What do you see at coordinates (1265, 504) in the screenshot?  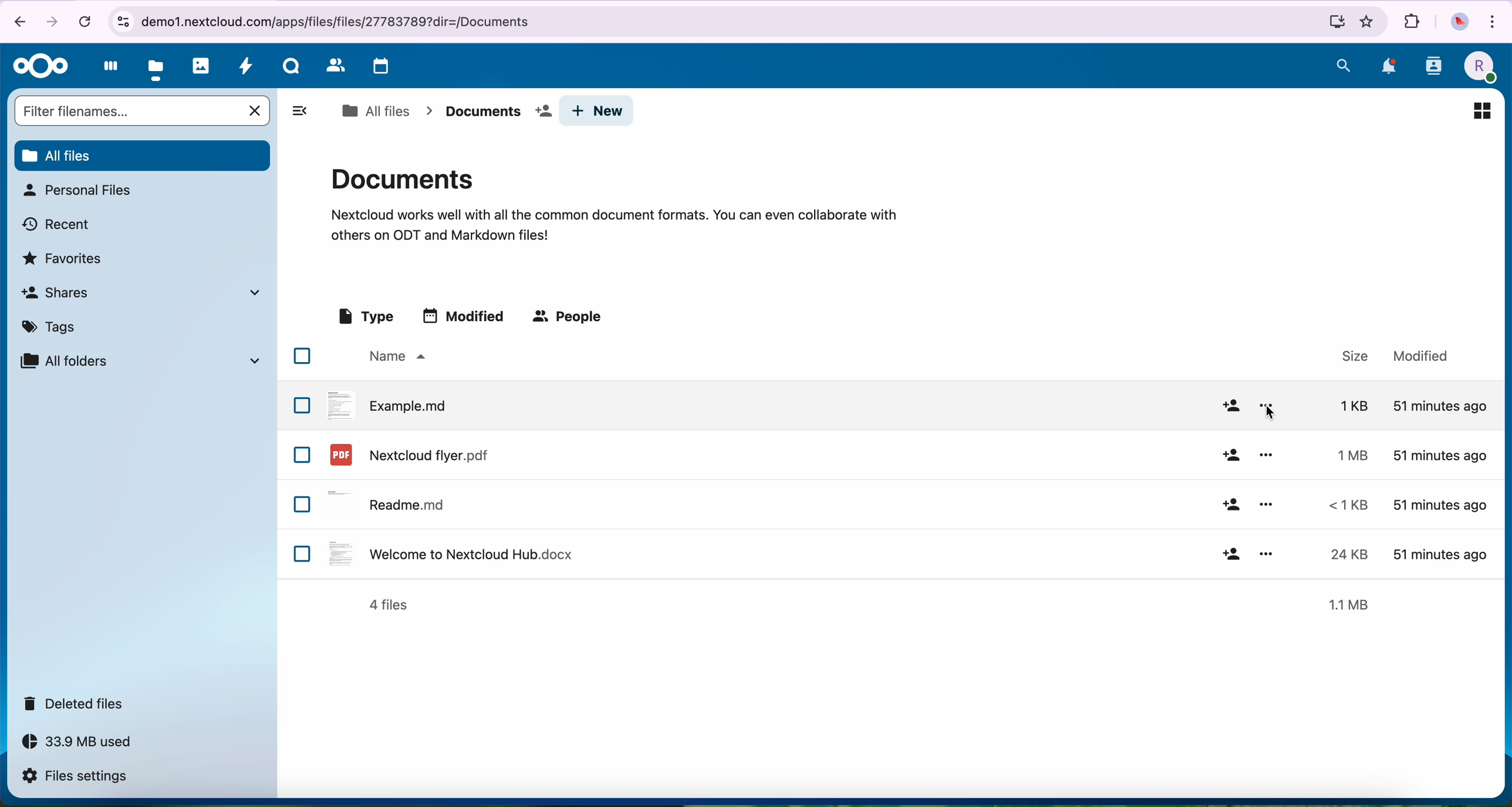 I see `options` at bounding box center [1265, 504].